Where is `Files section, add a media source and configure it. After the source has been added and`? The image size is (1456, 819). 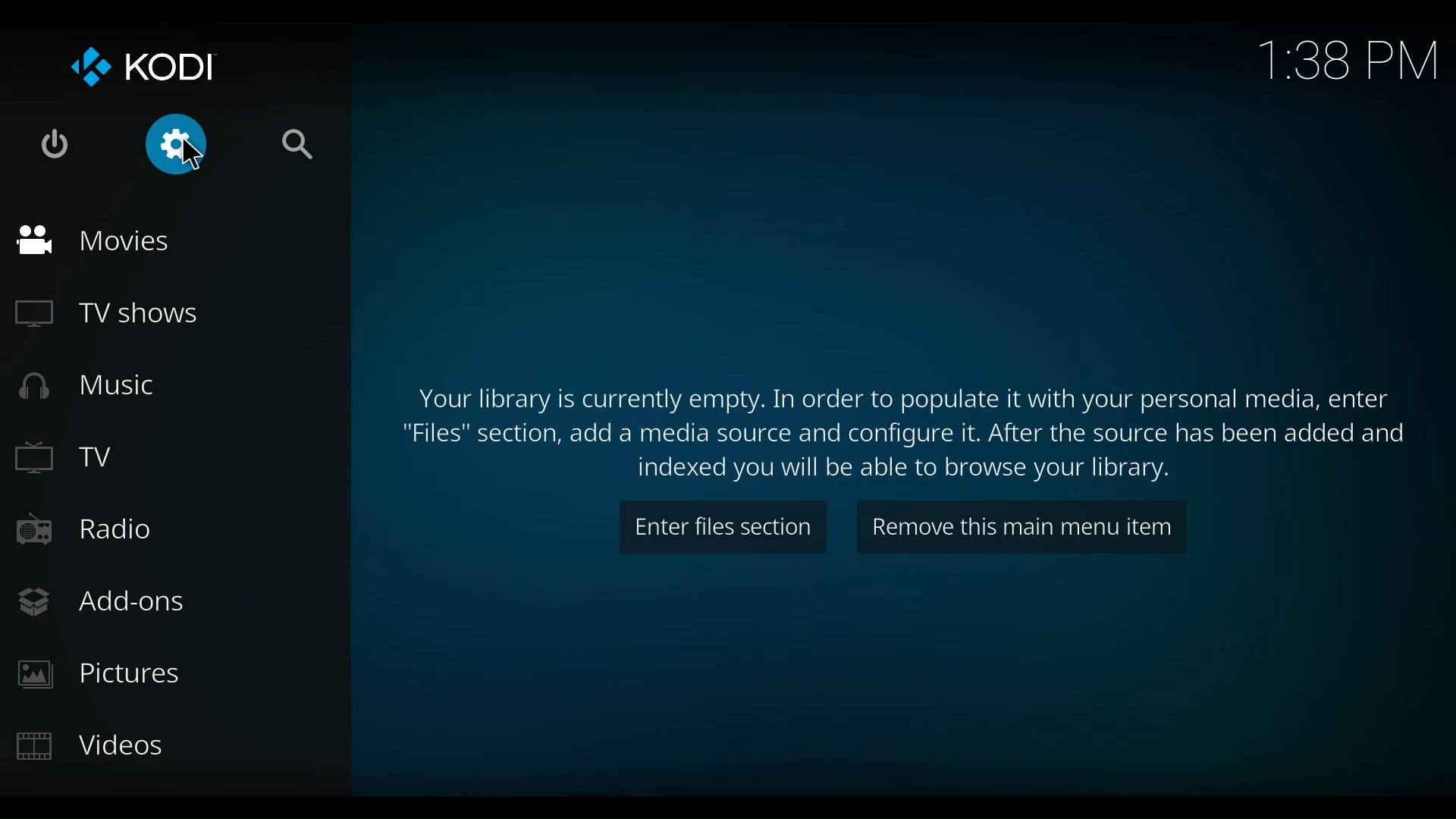 Files section, add a media source and configure it. After the source has been added and is located at coordinates (908, 434).